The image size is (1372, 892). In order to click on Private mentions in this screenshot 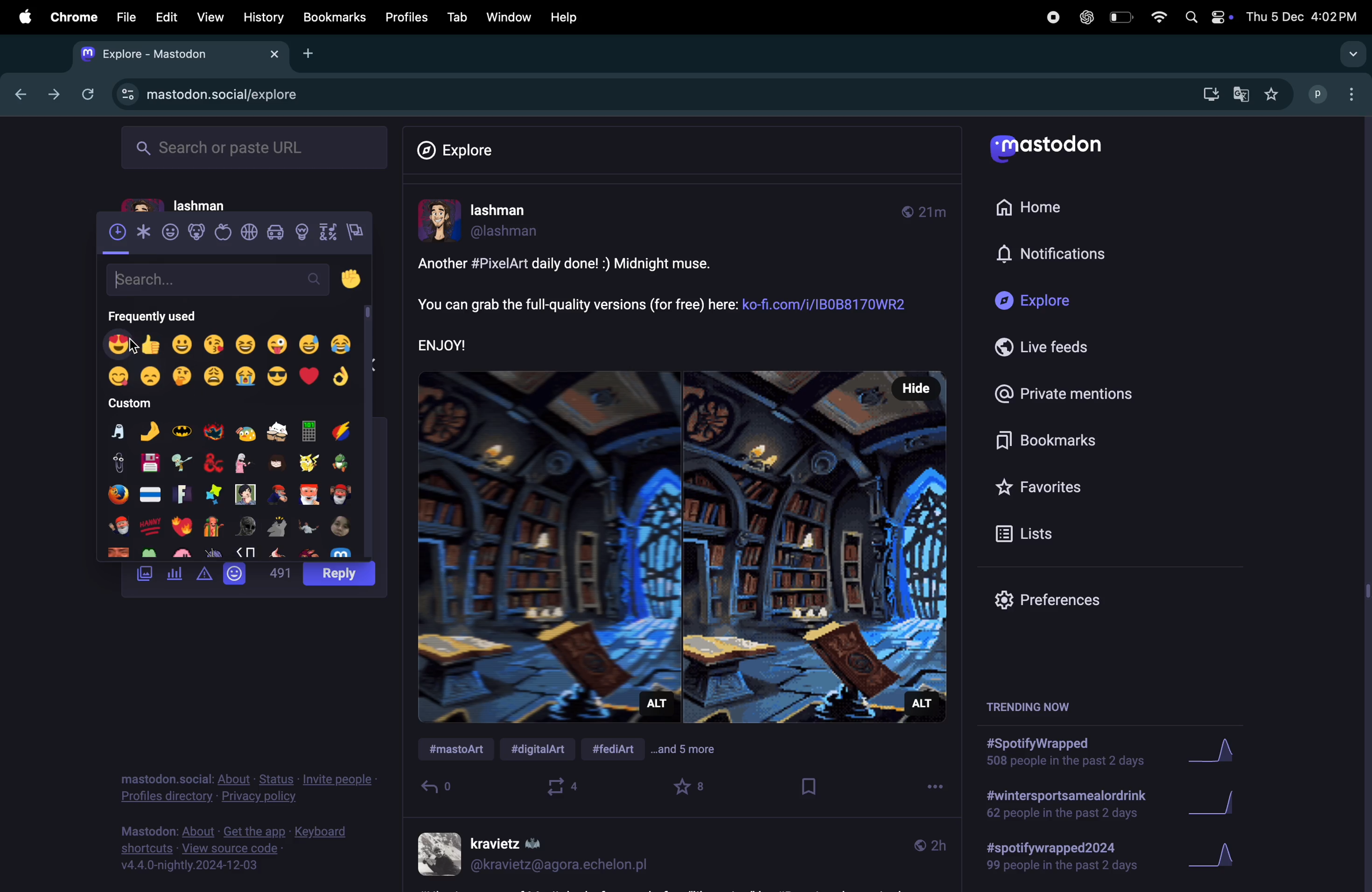, I will do `click(1064, 393)`.